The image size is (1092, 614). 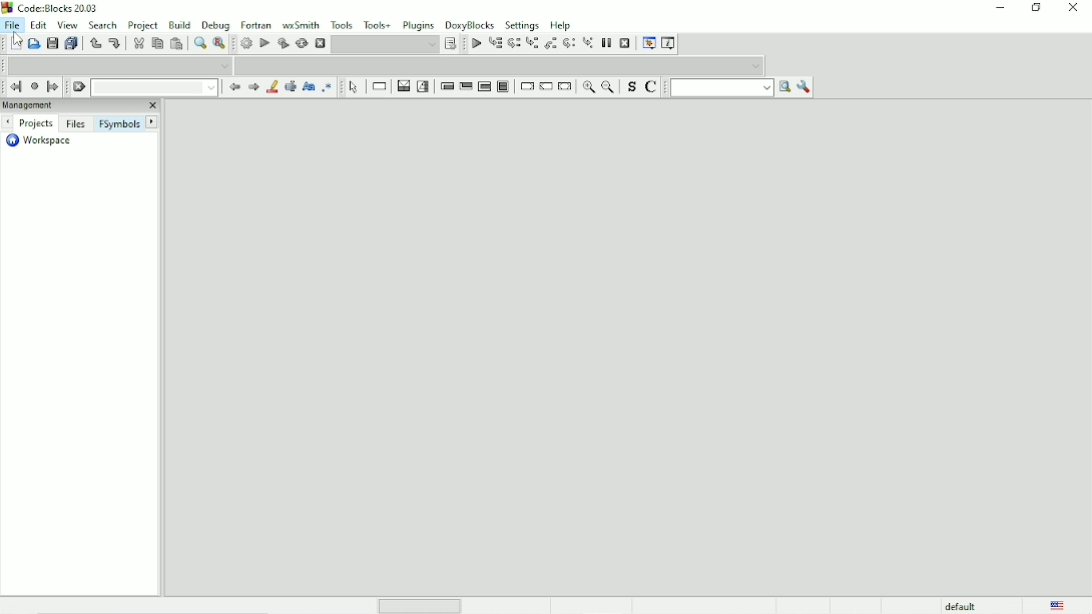 What do you see at coordinates (341, 24) in the screenshot?
I see `Tools` at bounding box center [341, 24].